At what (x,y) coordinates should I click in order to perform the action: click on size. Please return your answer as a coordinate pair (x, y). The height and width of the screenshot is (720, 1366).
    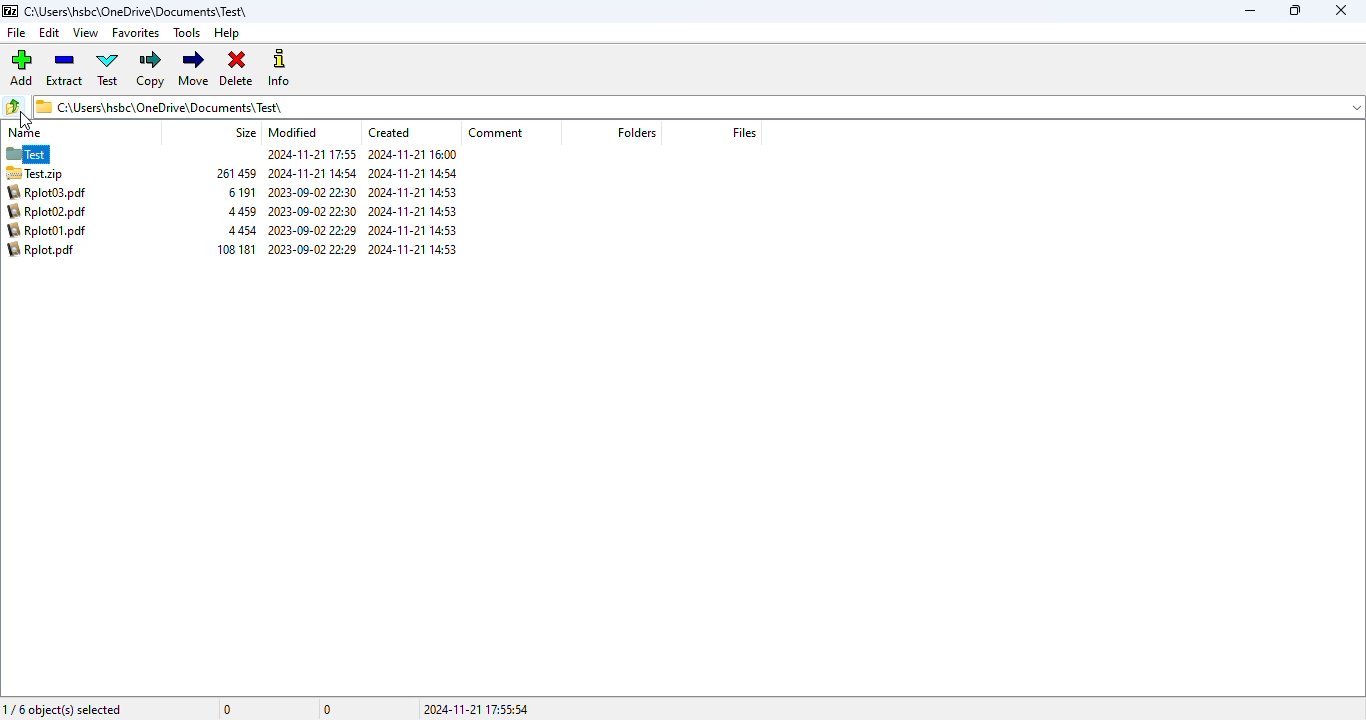
    Looking at the image, I should click on (244, 132).